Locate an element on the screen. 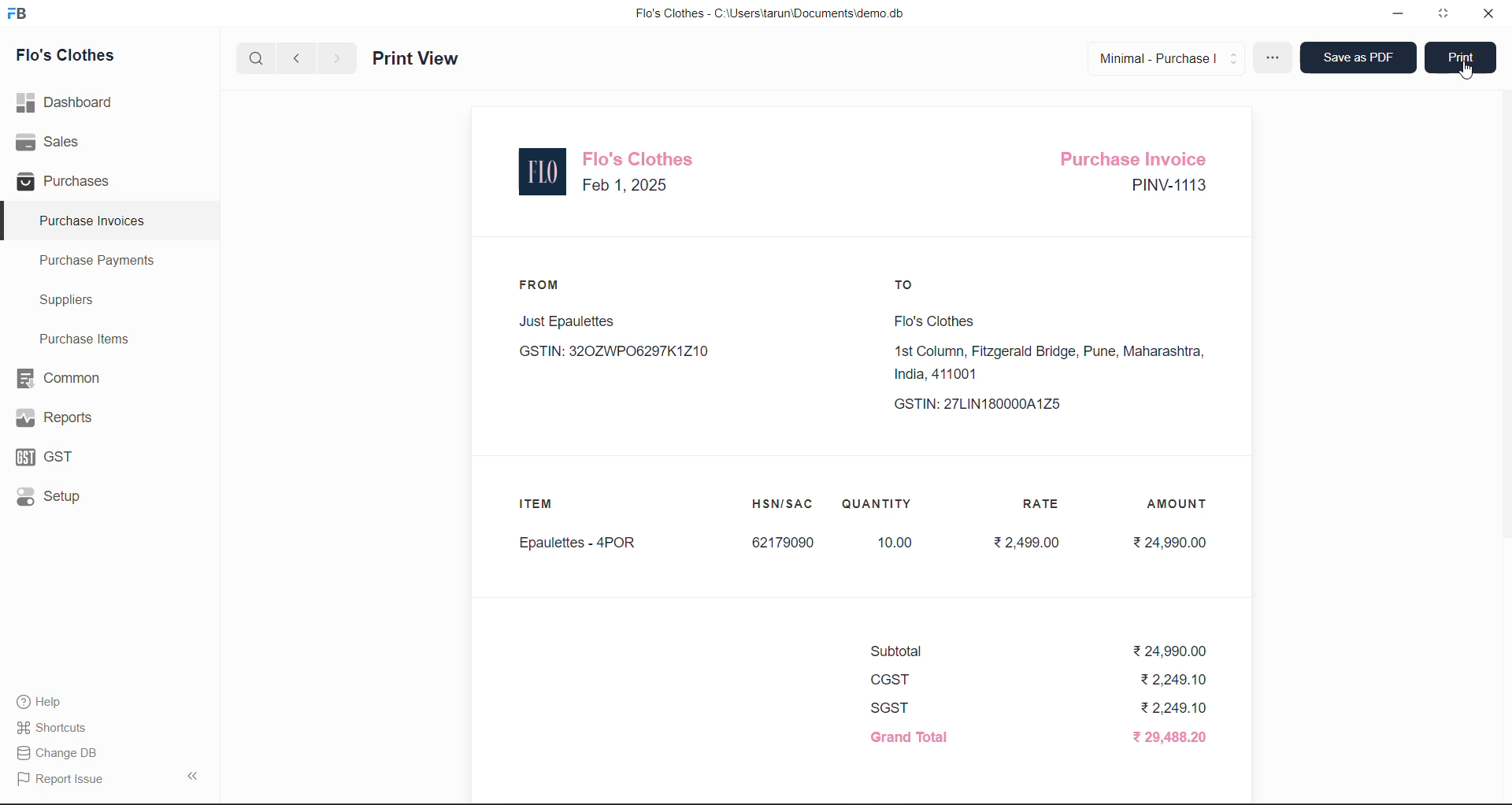  QUANTITY is located at coordinates (877, 506).